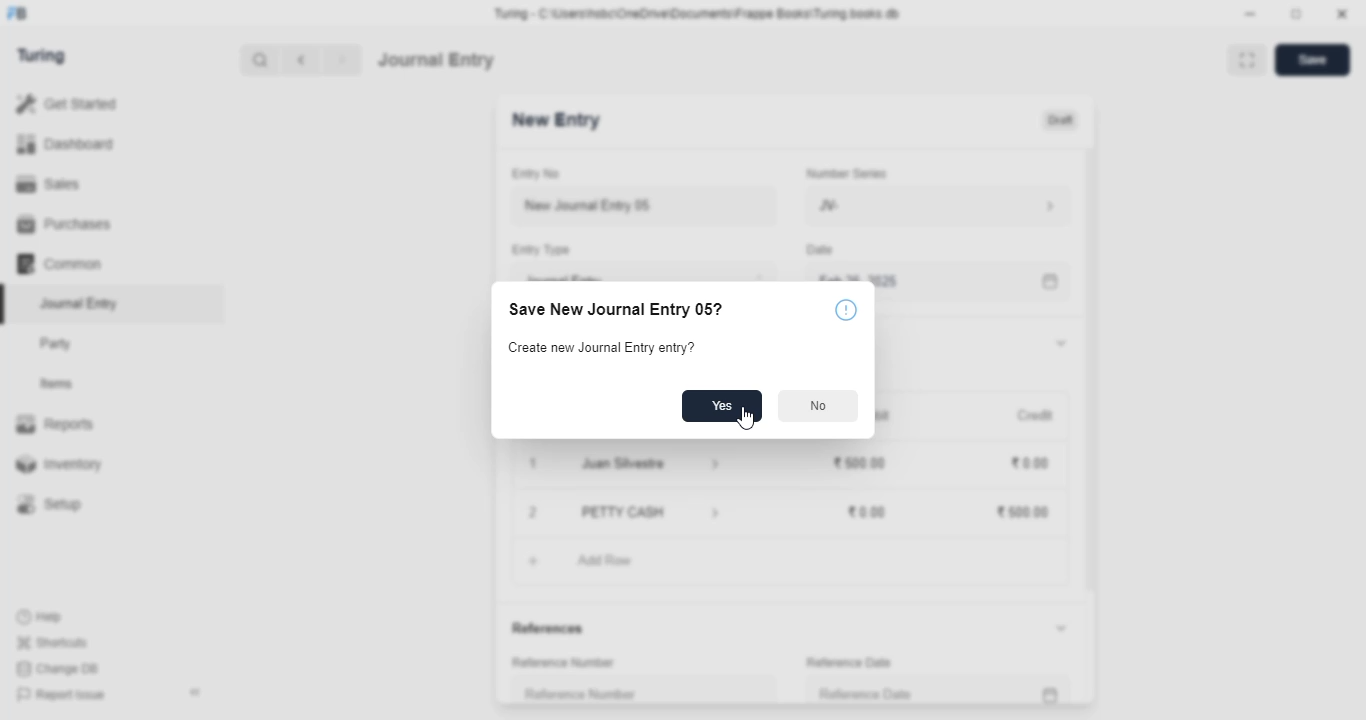 This screenshot has height=720, width=1366. I want to click on Turing - C:\Users\hsbc\OneDrive\Documents\Frappe Books\Turing books.db, so click(696, 14).